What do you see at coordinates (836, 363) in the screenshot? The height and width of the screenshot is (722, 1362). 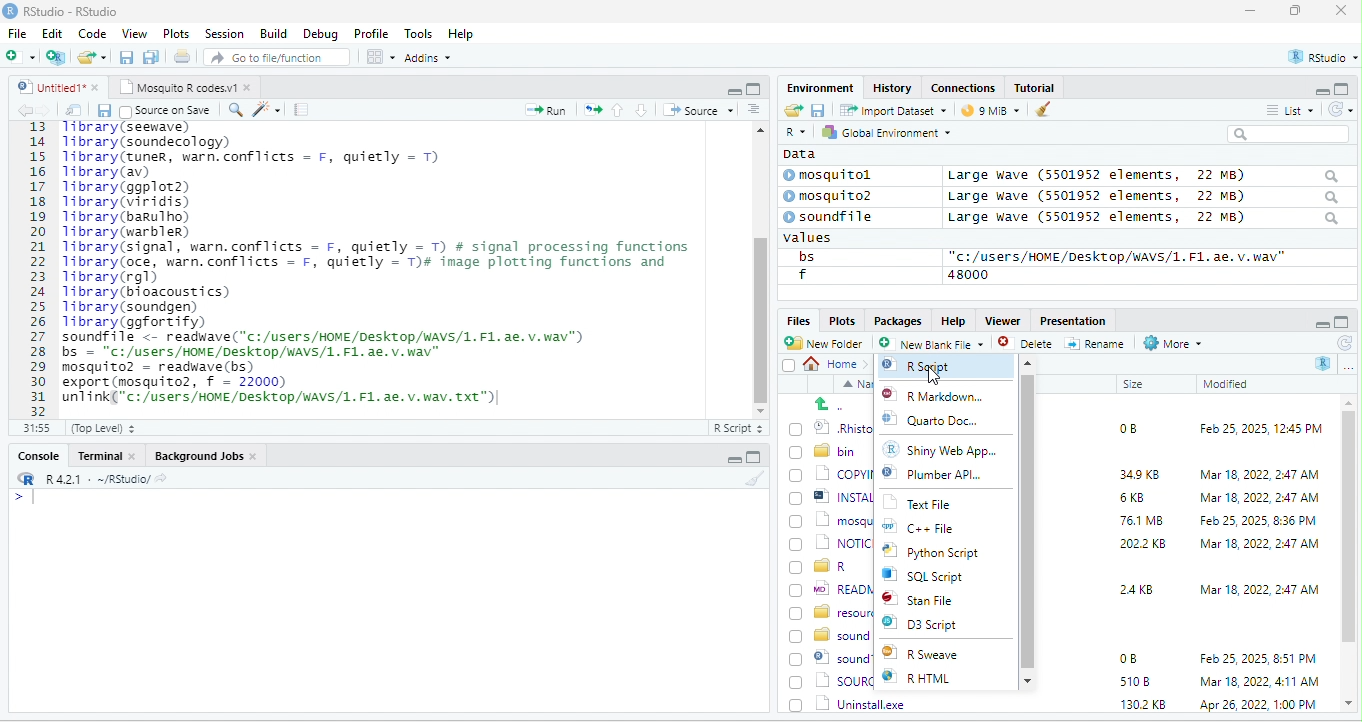 I see ` Home` at bounding box center [836, 363].